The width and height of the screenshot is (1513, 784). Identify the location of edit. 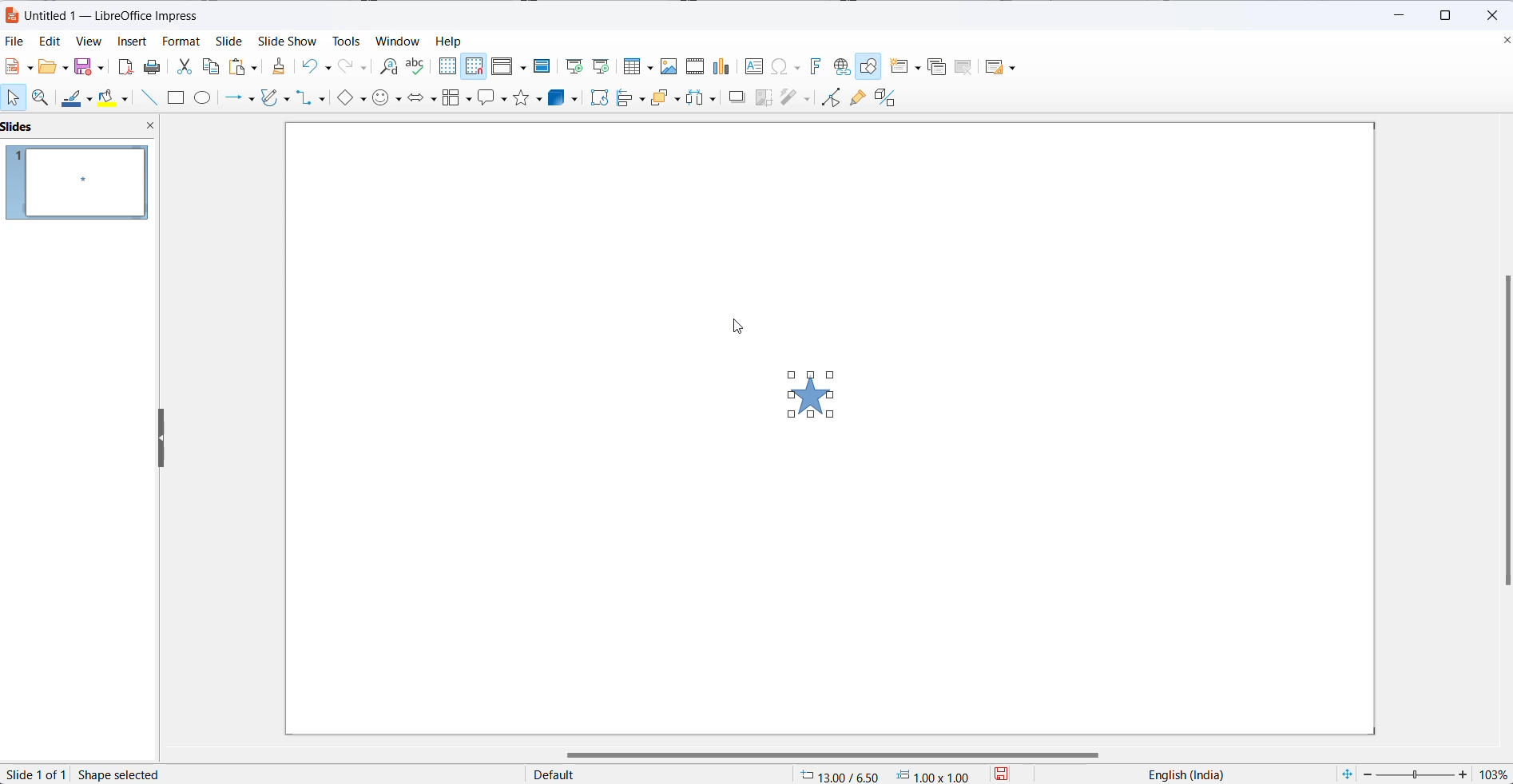
(46, 42).